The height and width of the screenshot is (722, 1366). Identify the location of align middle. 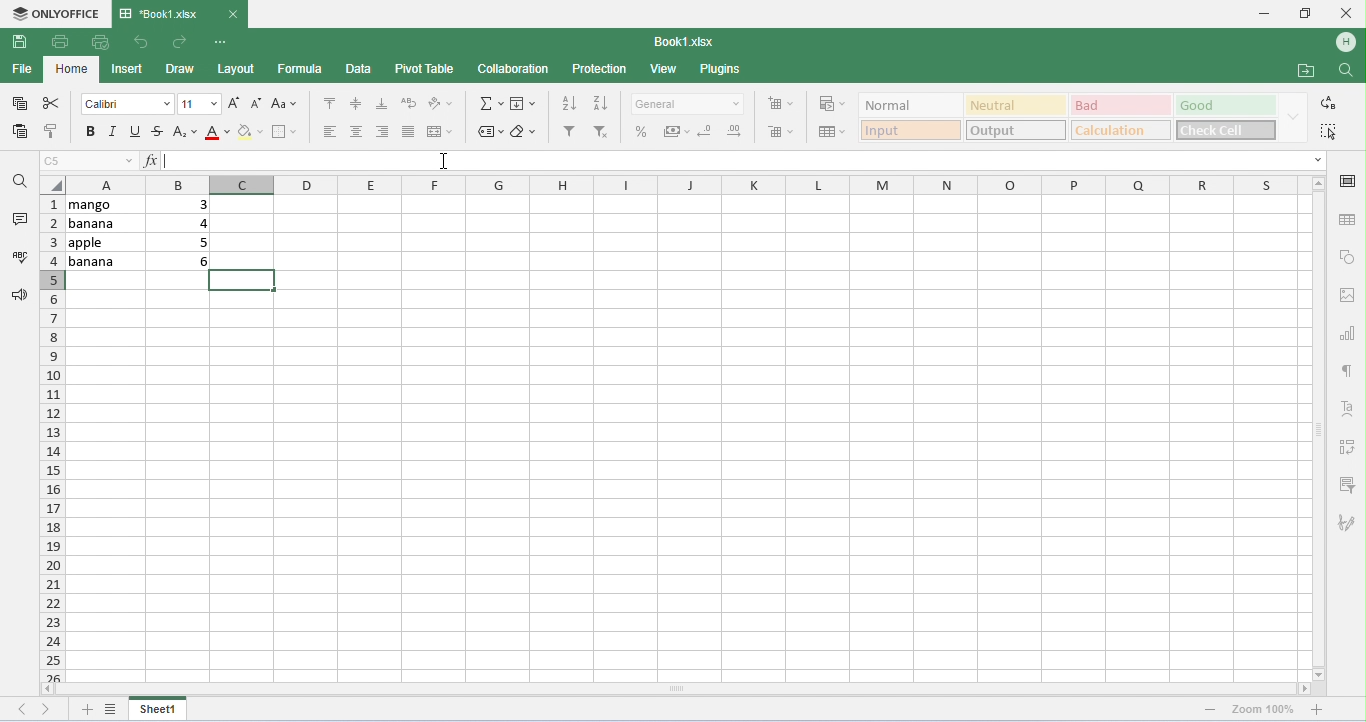
(358, 104).